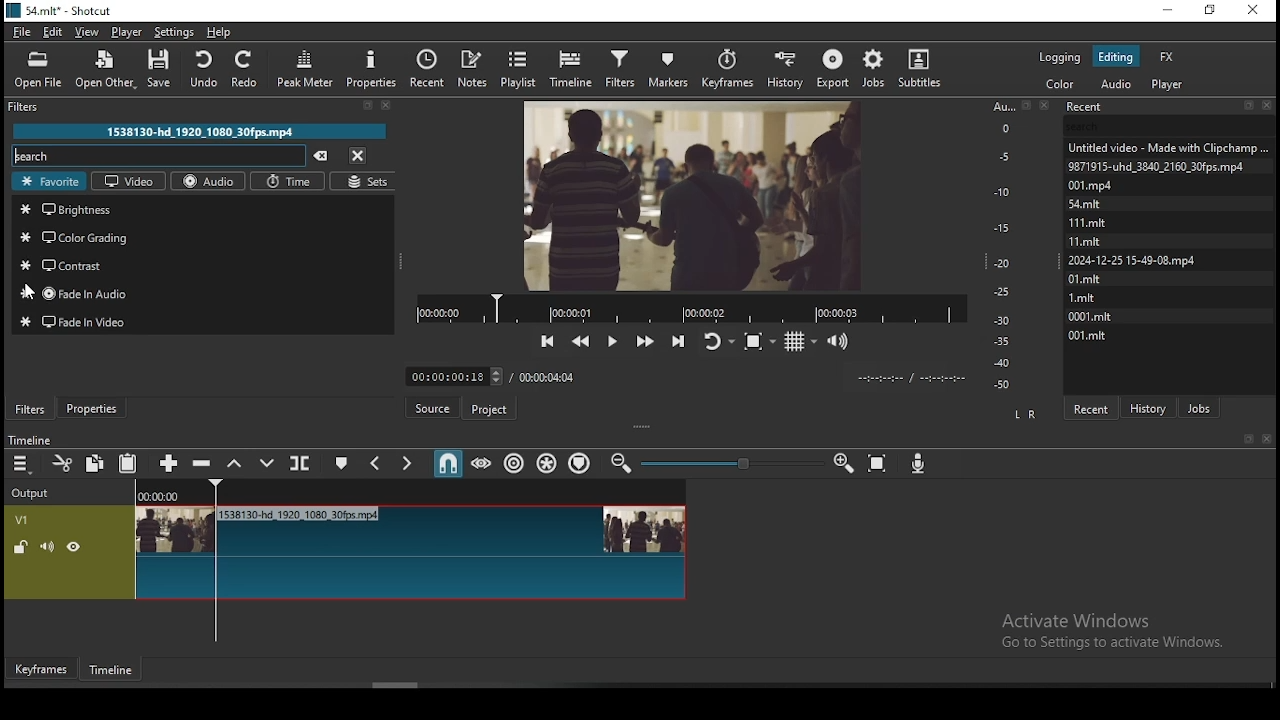  What do you see at coordinates (873, 67) in the screenshot?
I see `jobs` at bounding box center [873, 67].